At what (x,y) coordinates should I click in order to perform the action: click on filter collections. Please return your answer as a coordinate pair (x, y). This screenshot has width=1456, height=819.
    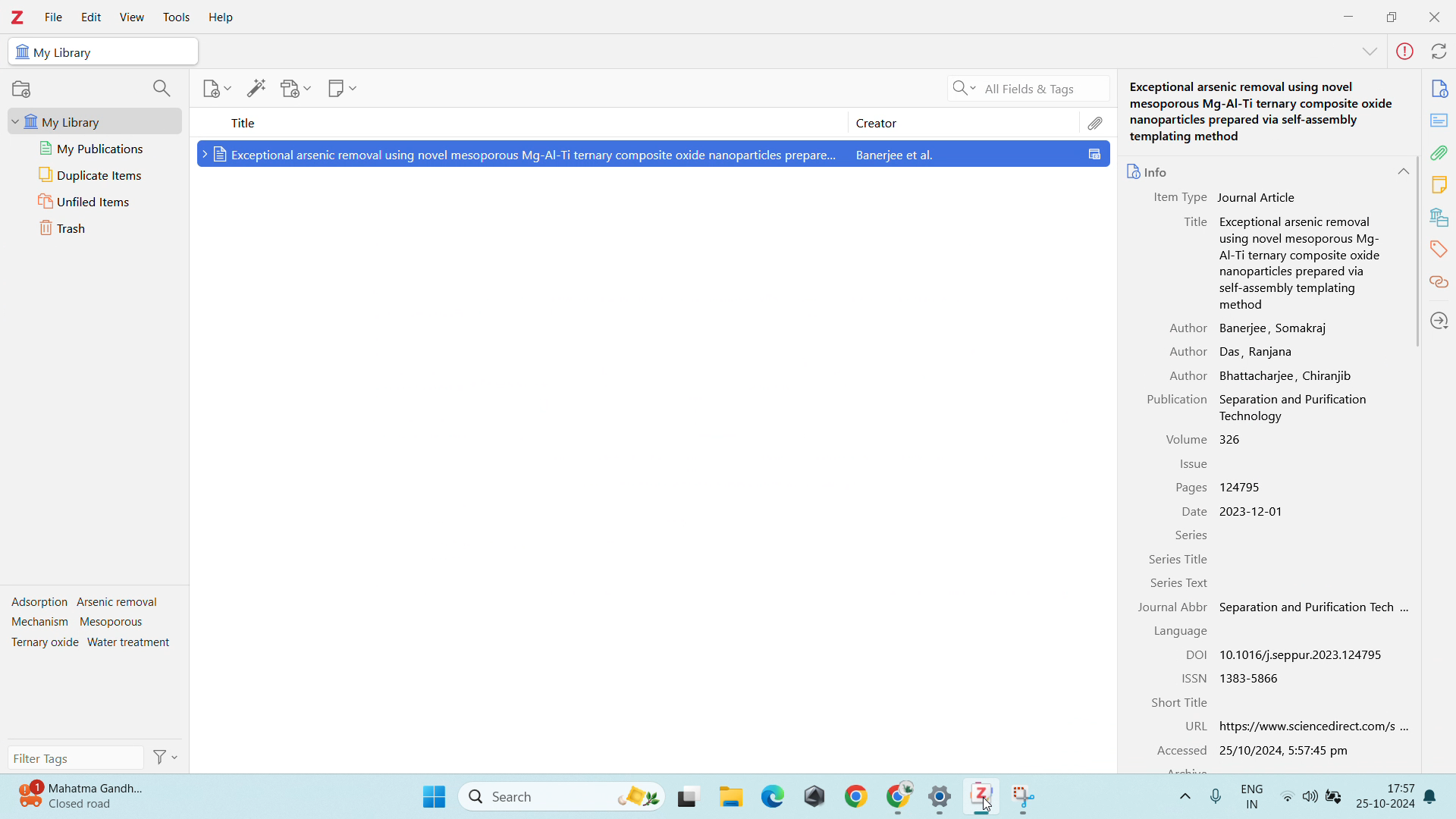
    Looking at the image, I should click on (162, 88).